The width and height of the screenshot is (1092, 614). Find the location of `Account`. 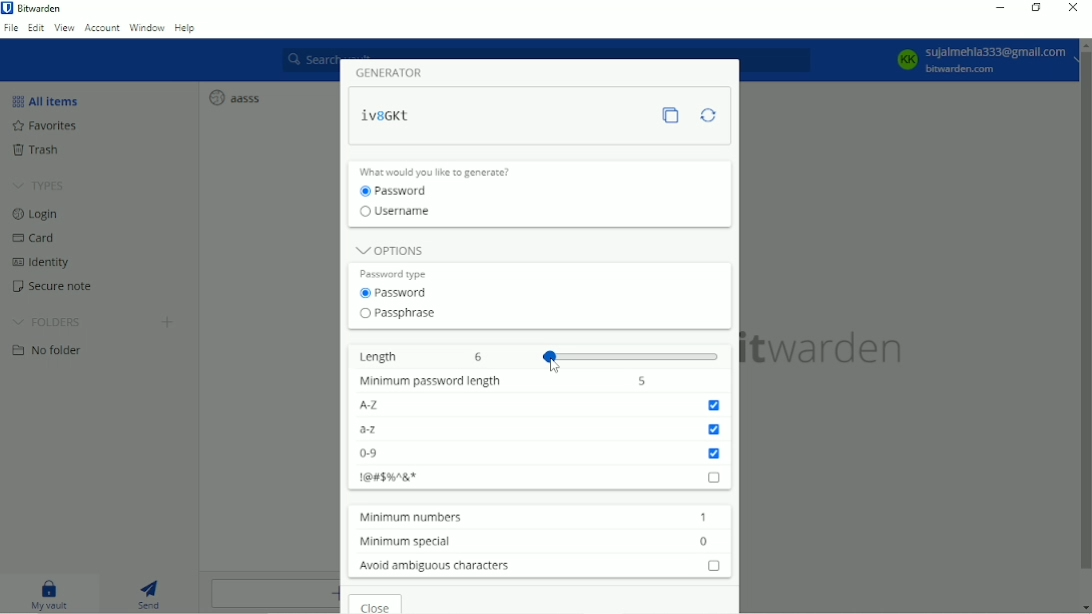

Account is located at coordinates (101, 28).